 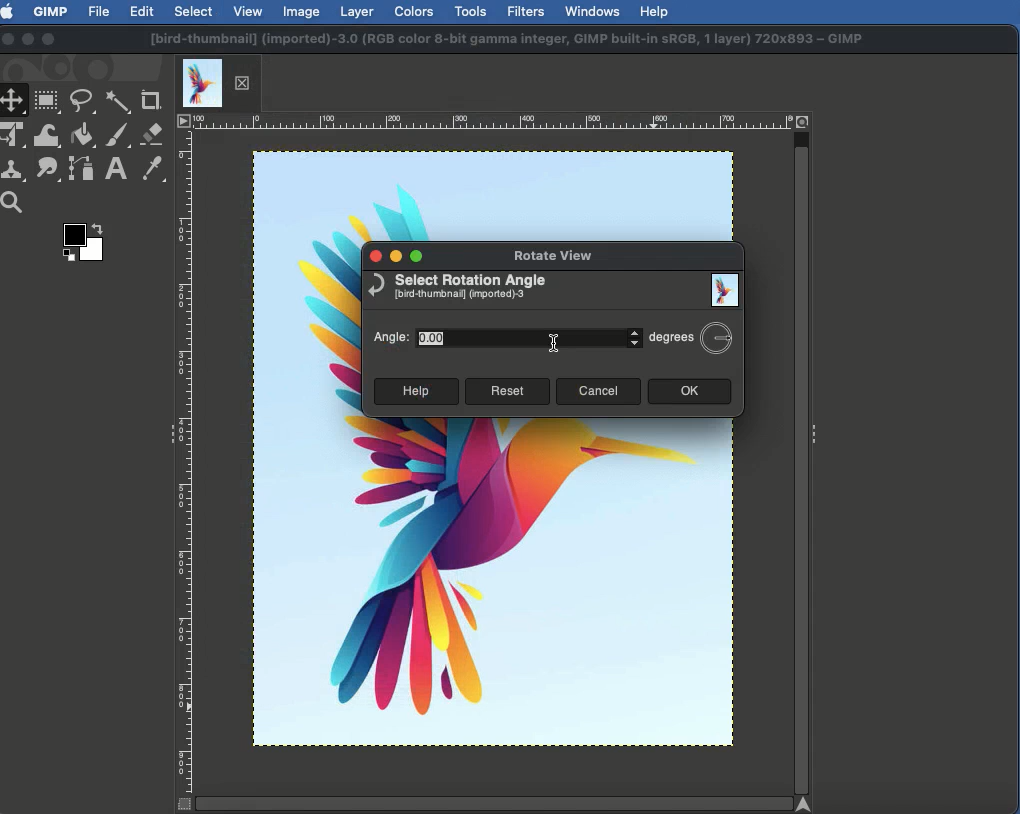 What do you see at coordinates (100, 10) in the screenshot?
I see `File` at bounding box center [100, 10].